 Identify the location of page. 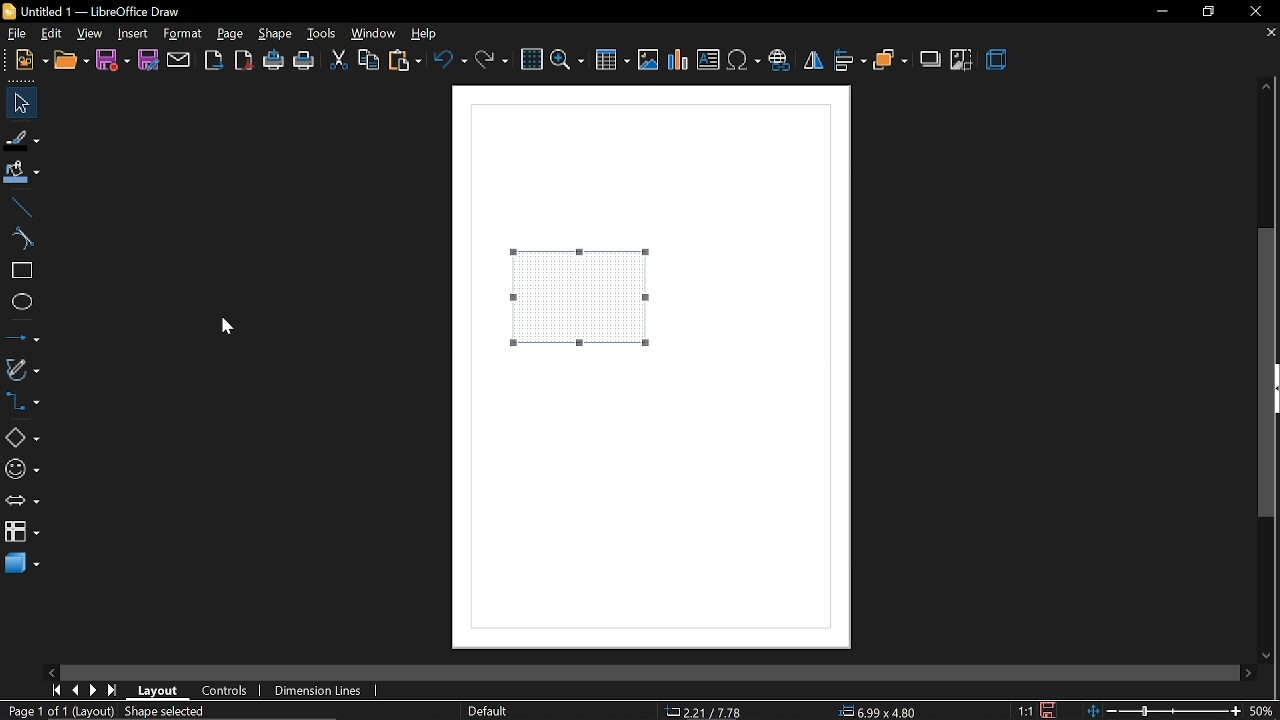
(234, 33).